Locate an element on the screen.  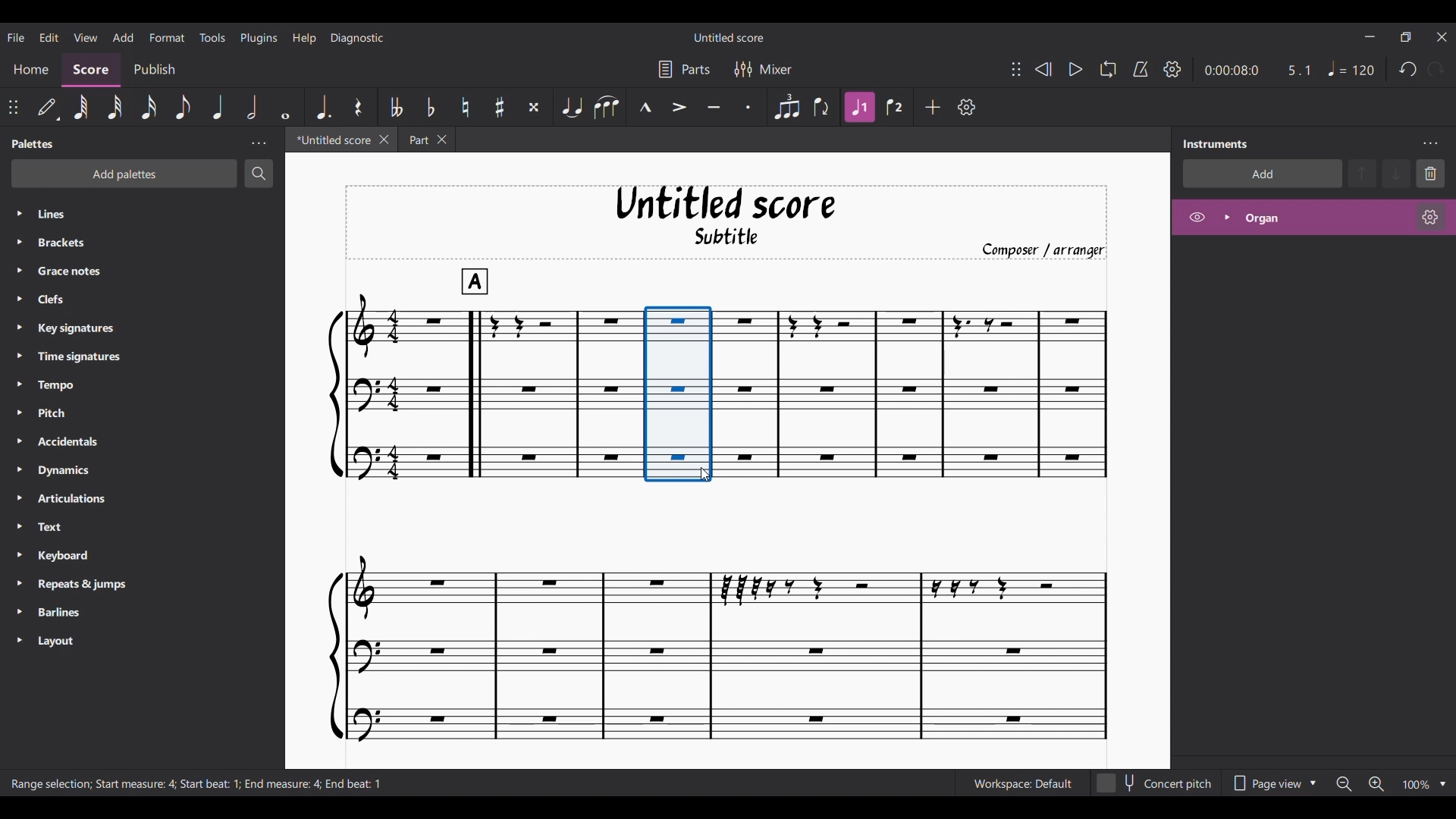
Quarter note is located at coordinates (218, 107).